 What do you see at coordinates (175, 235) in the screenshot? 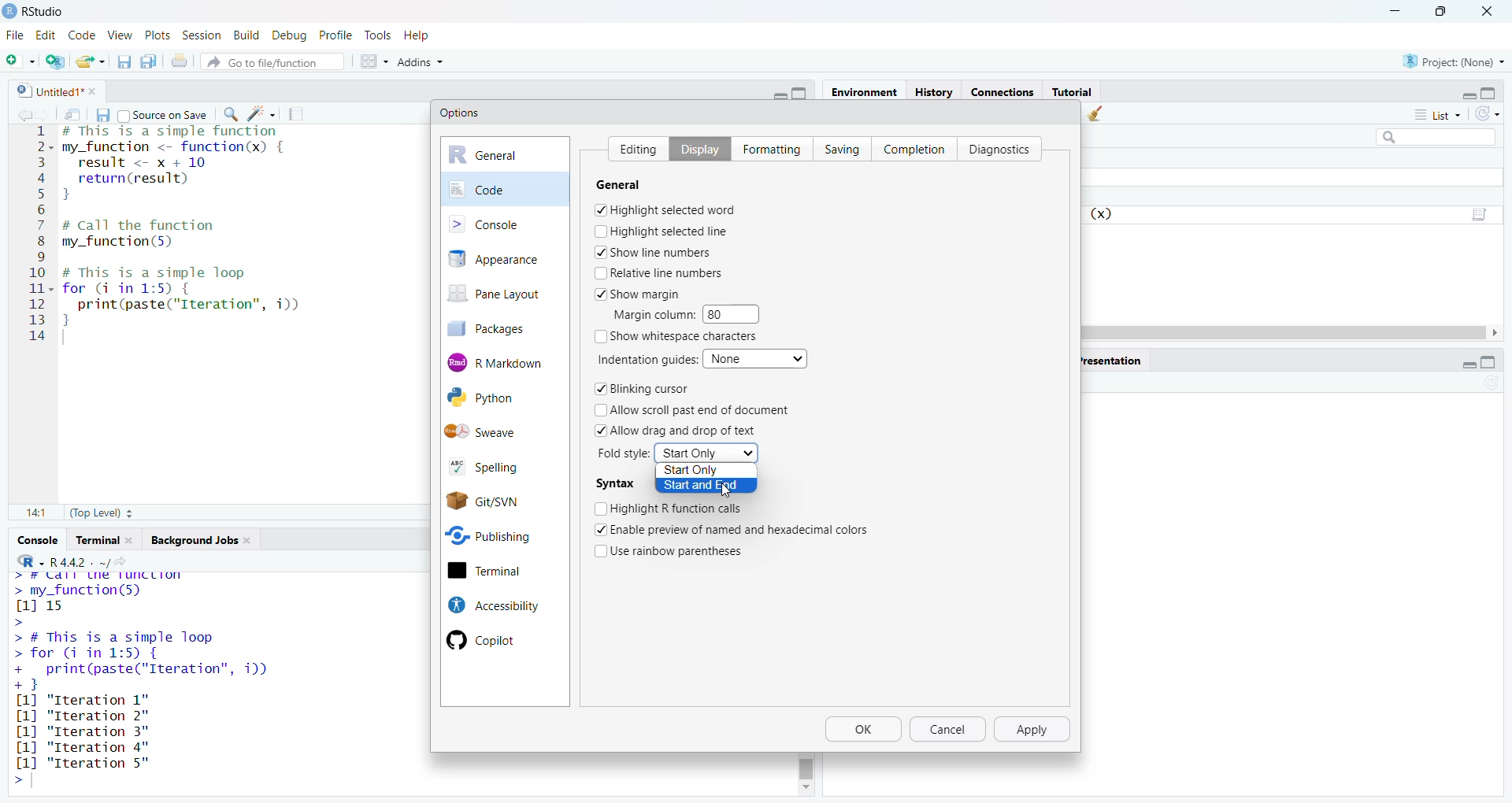
I see `code to call the function` at bounding box center [175, 235].